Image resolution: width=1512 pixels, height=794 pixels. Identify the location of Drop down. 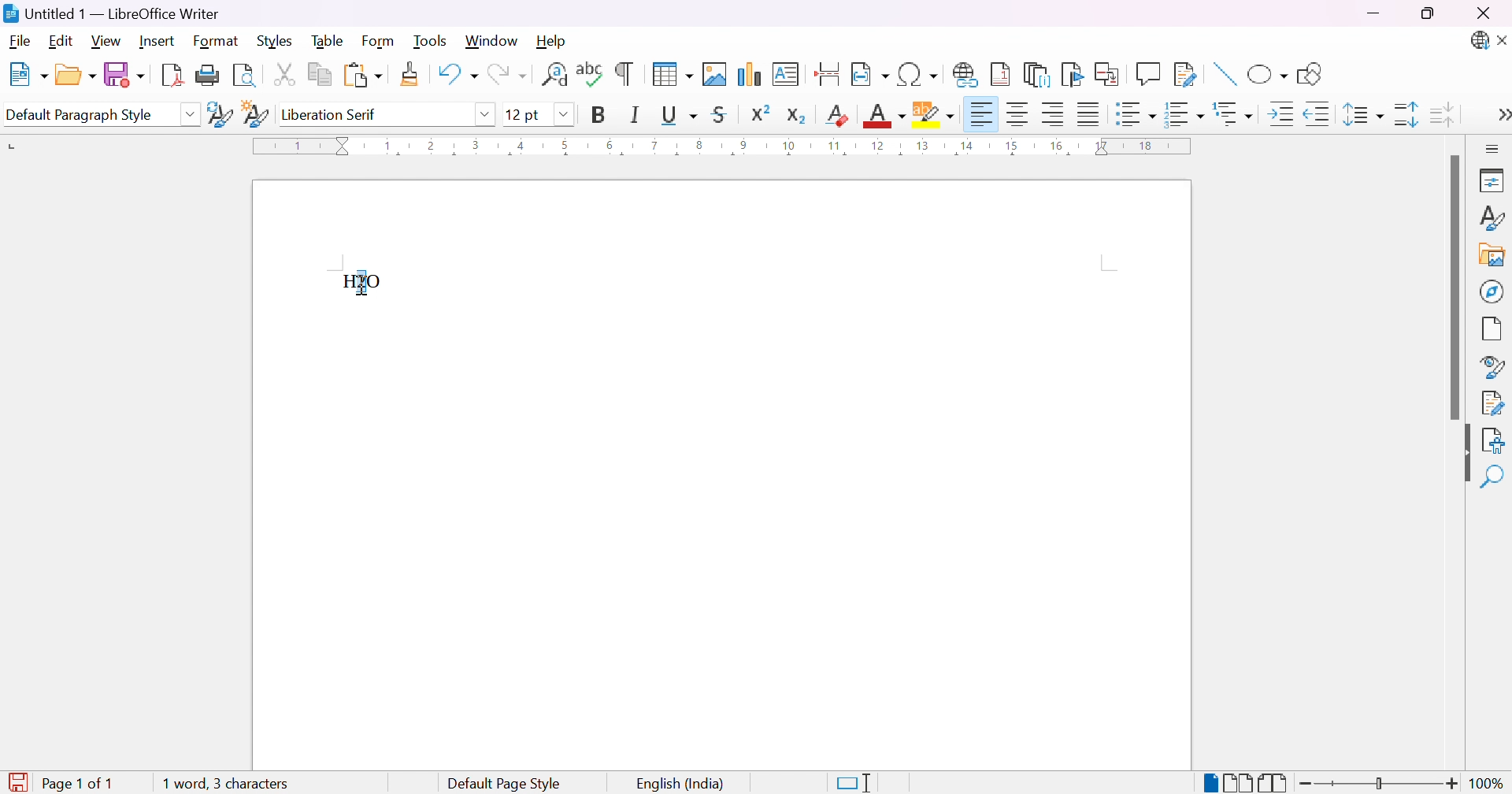
(565, 115).